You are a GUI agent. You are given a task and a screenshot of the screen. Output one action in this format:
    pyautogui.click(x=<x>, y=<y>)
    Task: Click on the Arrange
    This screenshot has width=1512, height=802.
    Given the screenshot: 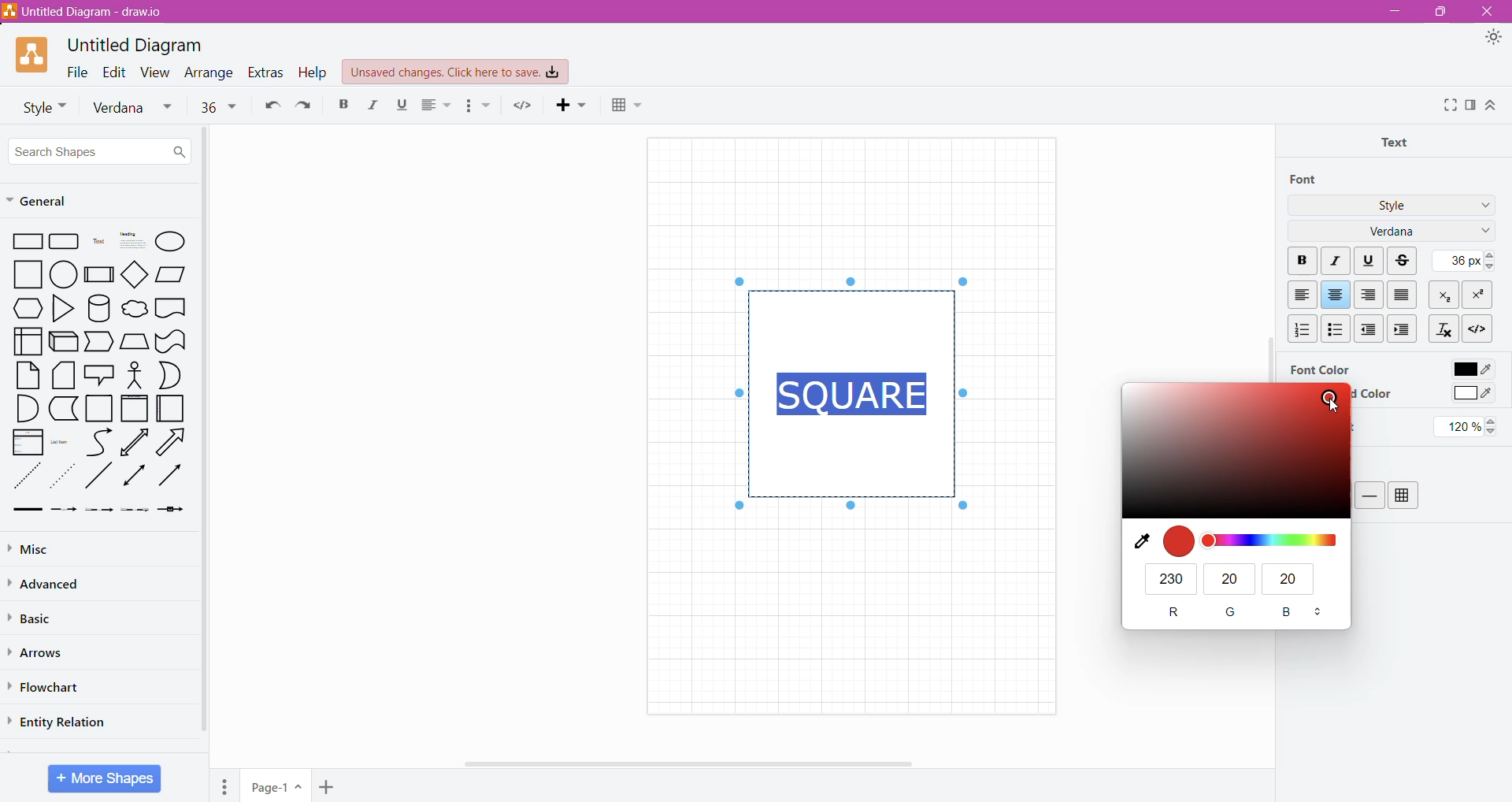 What is the action you would take?
    pyautogui.click(x=210, y=72)
    